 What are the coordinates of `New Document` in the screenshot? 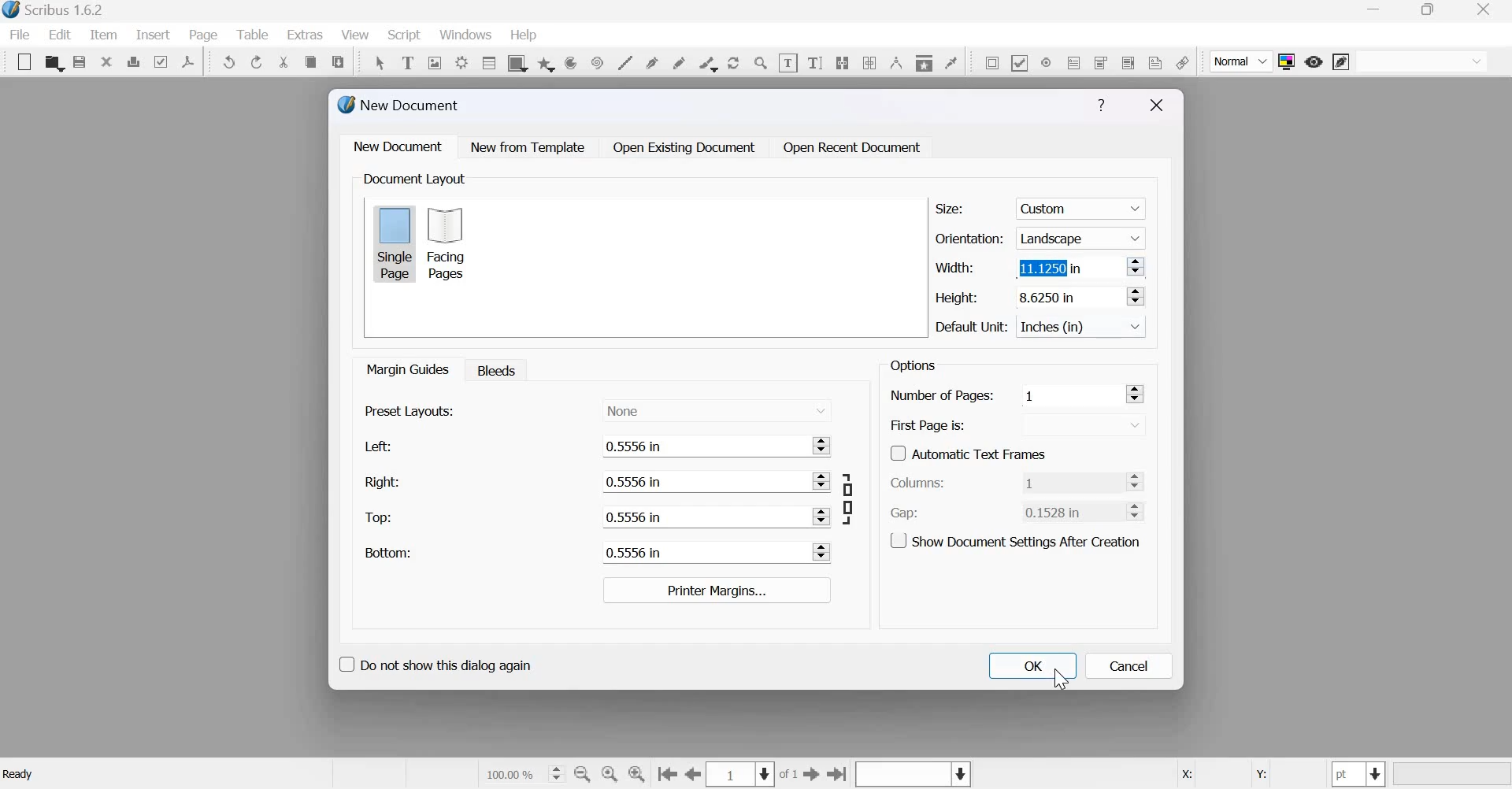 It's located at (400, 105).